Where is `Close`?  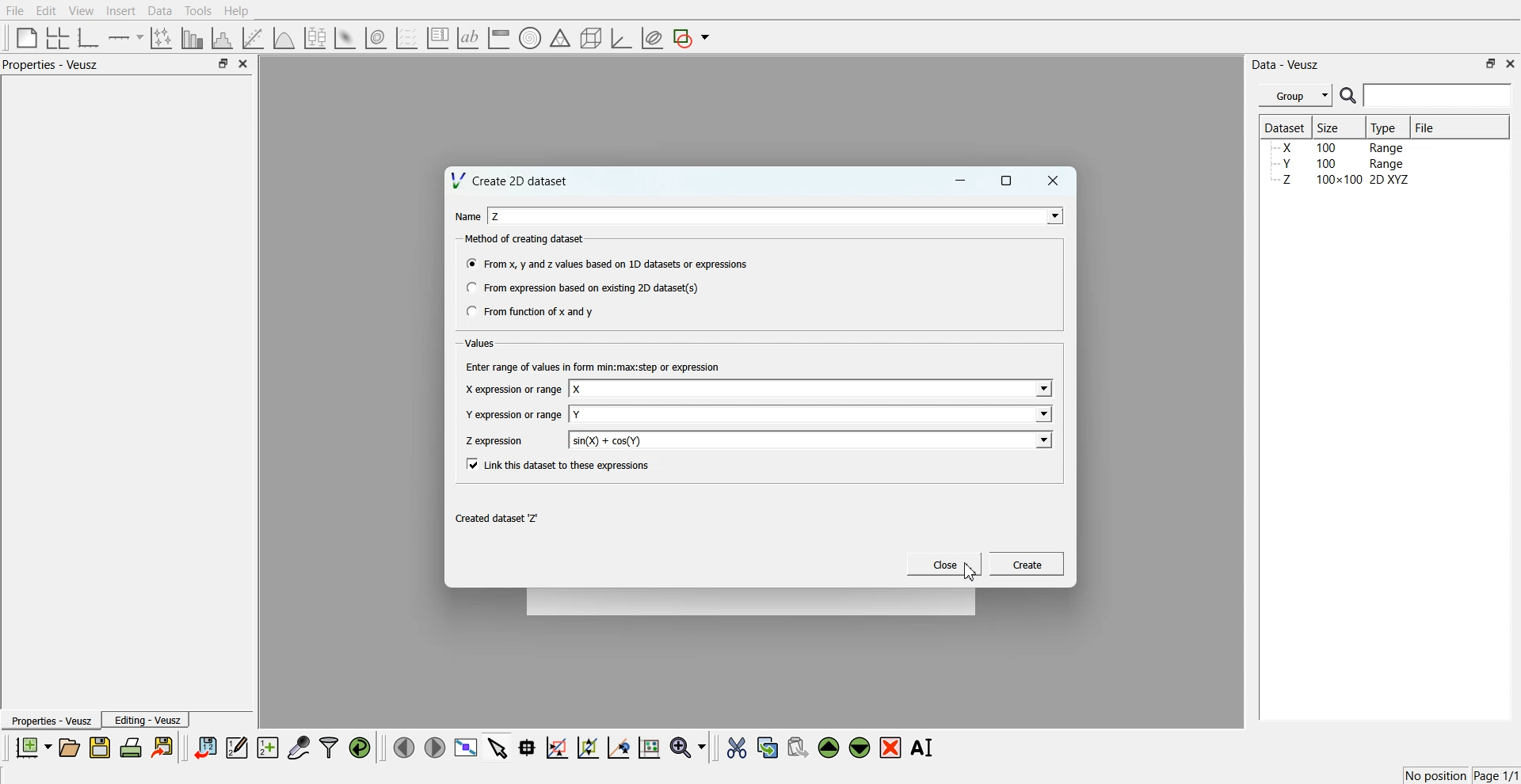 Close is located at coordinates (1054, 181).